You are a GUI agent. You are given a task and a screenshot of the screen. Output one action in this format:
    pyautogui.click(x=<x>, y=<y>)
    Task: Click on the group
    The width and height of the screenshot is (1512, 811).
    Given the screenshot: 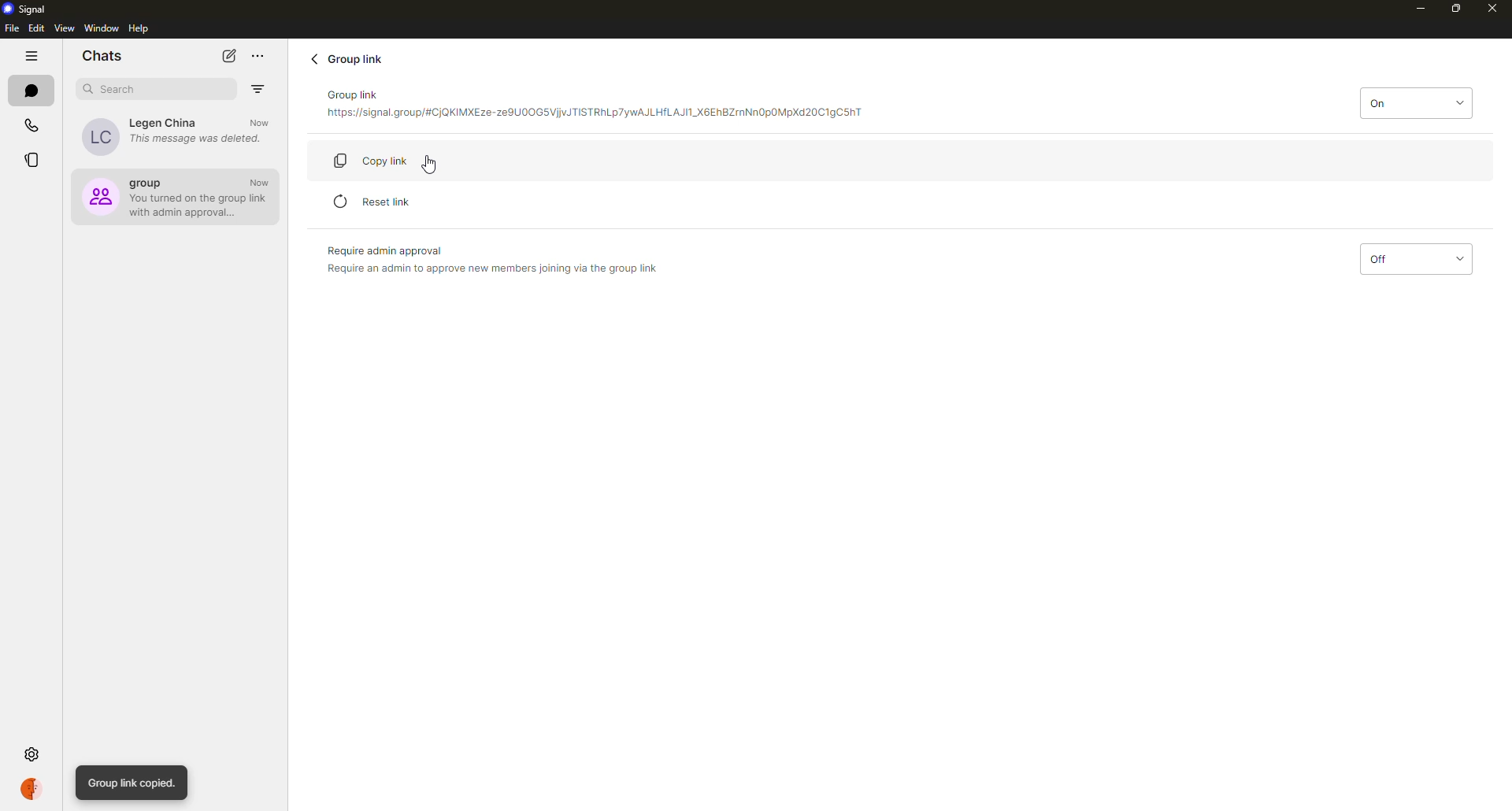 What is the action you would take?
    pyautogui.click(x=177, y=195)
    